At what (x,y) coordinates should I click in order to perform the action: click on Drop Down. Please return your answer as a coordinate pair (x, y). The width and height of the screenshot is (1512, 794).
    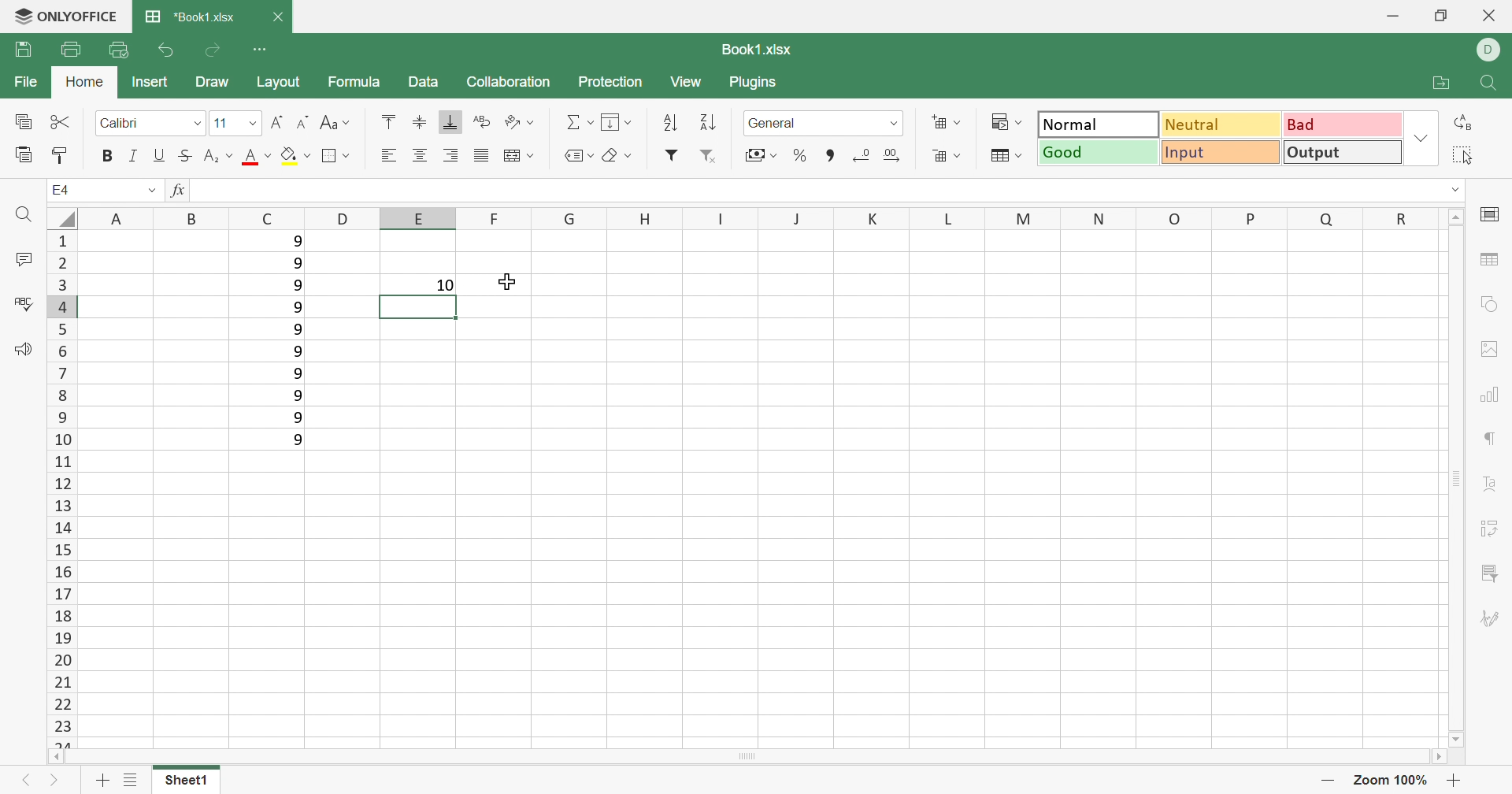
    Looking at the image, I should click on (1454, 189).